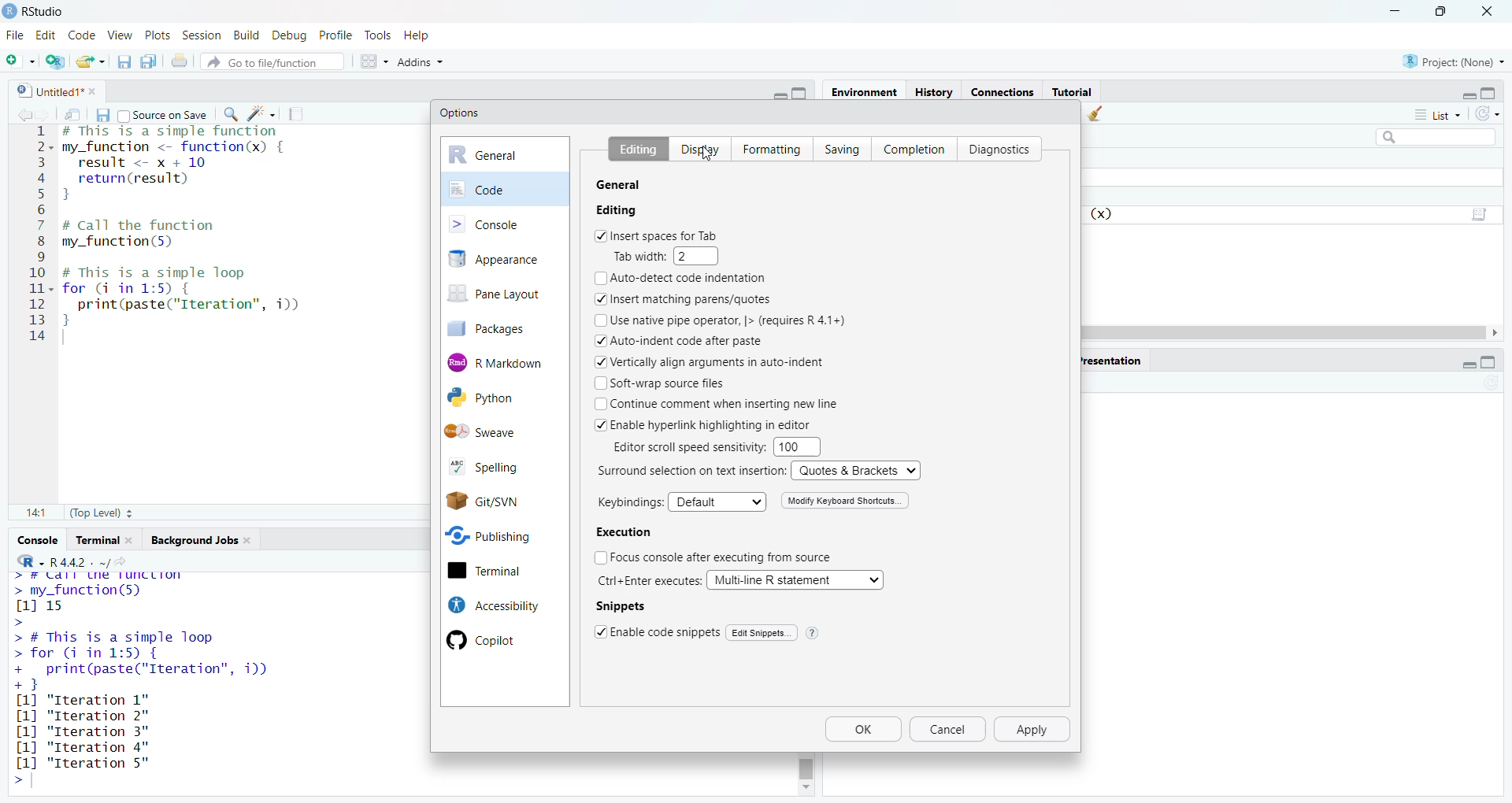 This screenshot has height=803, width=1512. I want to click on maximize, so click(1496, 90).